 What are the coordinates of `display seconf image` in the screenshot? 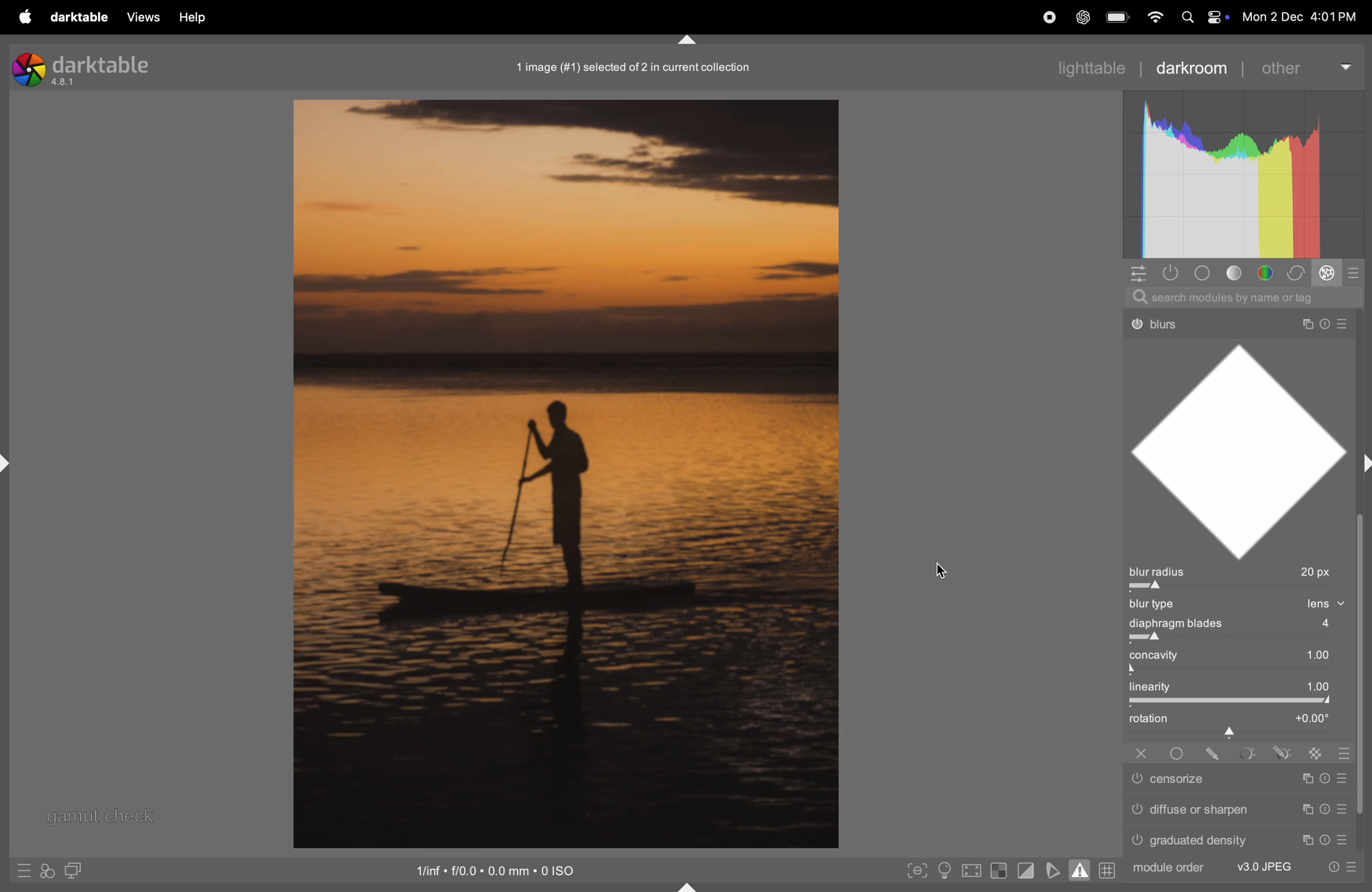 It's located at (76, 870).